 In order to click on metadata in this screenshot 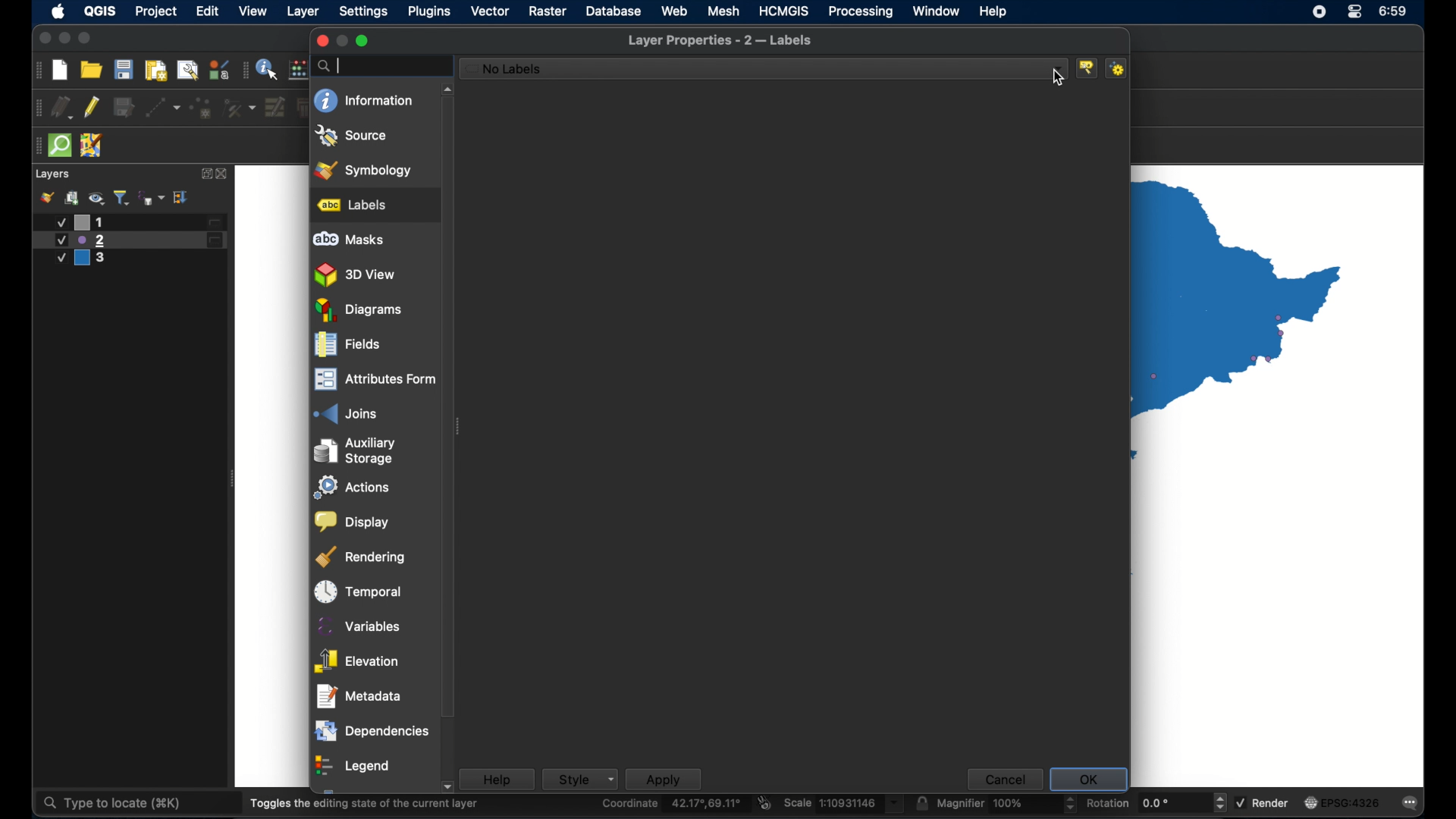, I will do `click(359, 696)`.